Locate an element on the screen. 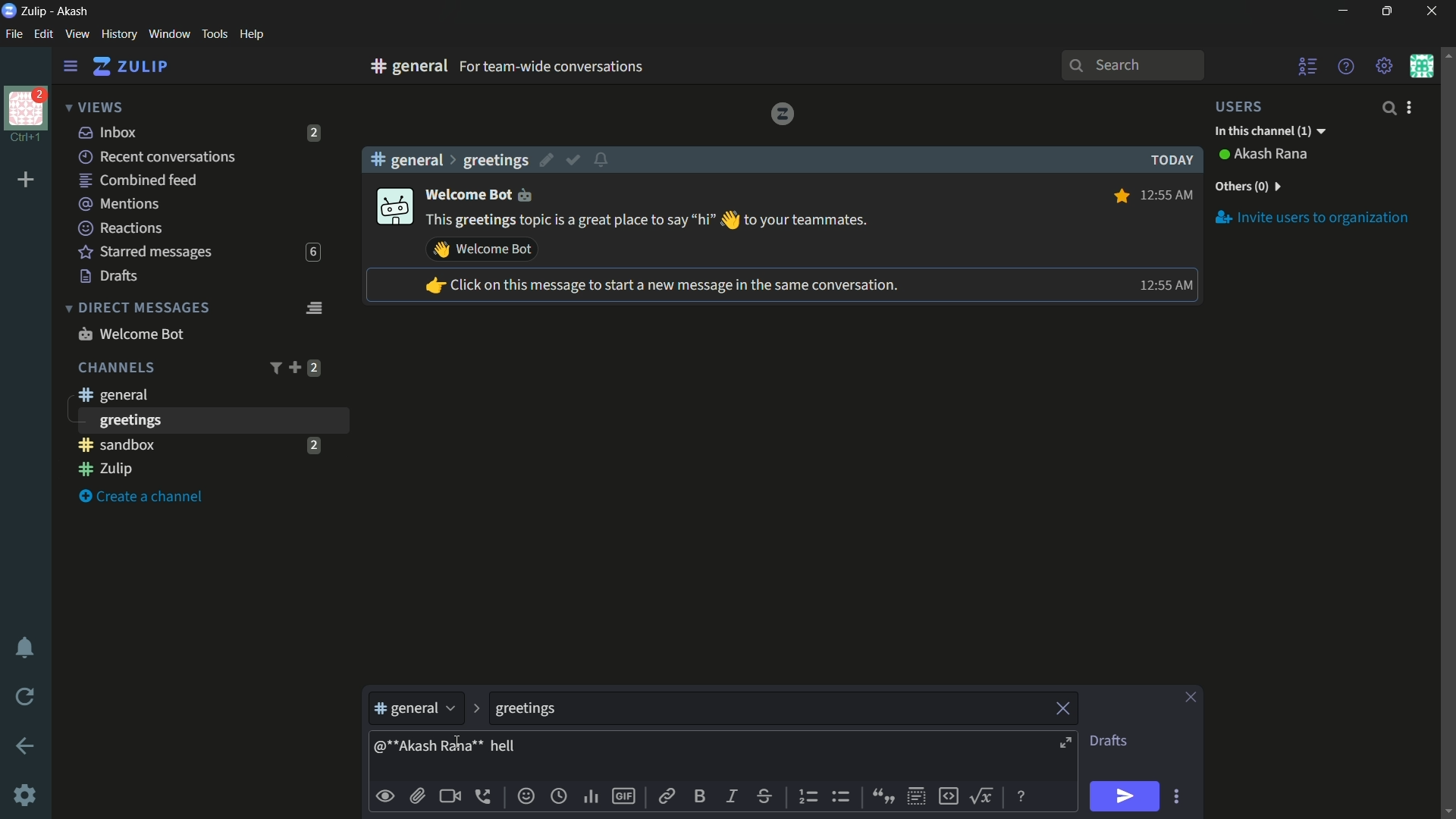 The width and height of the screenshot is (1456, 819). mark as resolved is located at coordinates (575, 161).